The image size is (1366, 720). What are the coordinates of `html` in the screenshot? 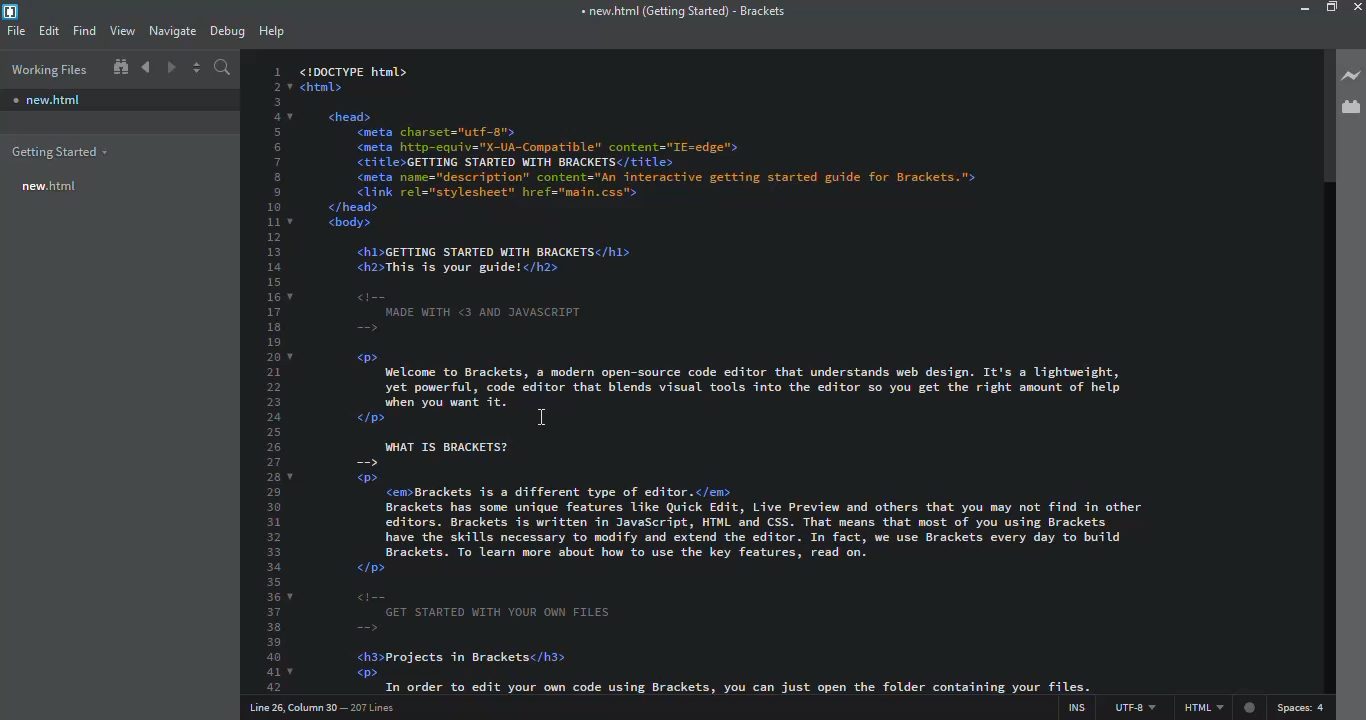 It's located at (1219, 709).